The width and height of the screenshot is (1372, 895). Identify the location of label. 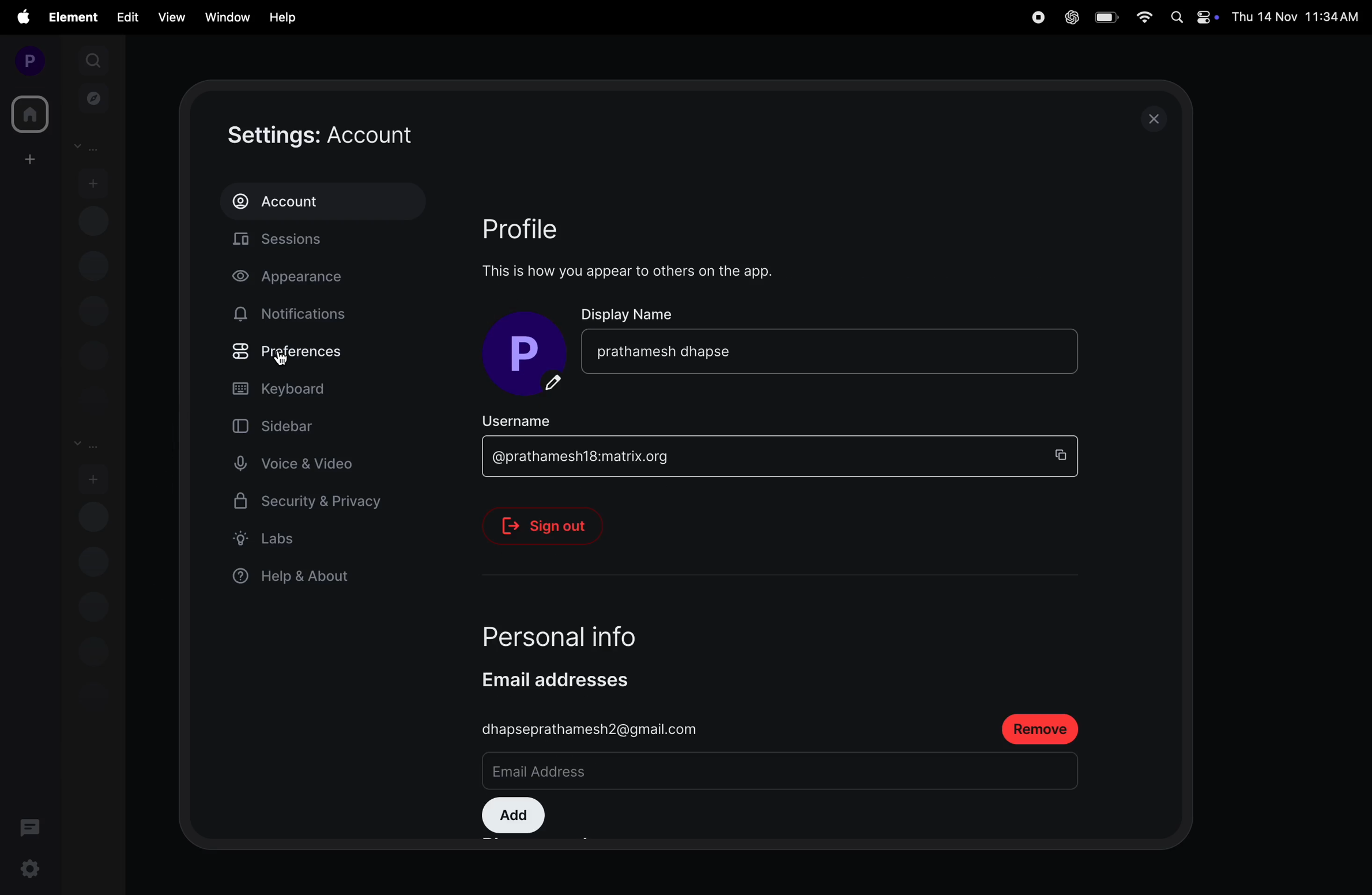
(286, 541).